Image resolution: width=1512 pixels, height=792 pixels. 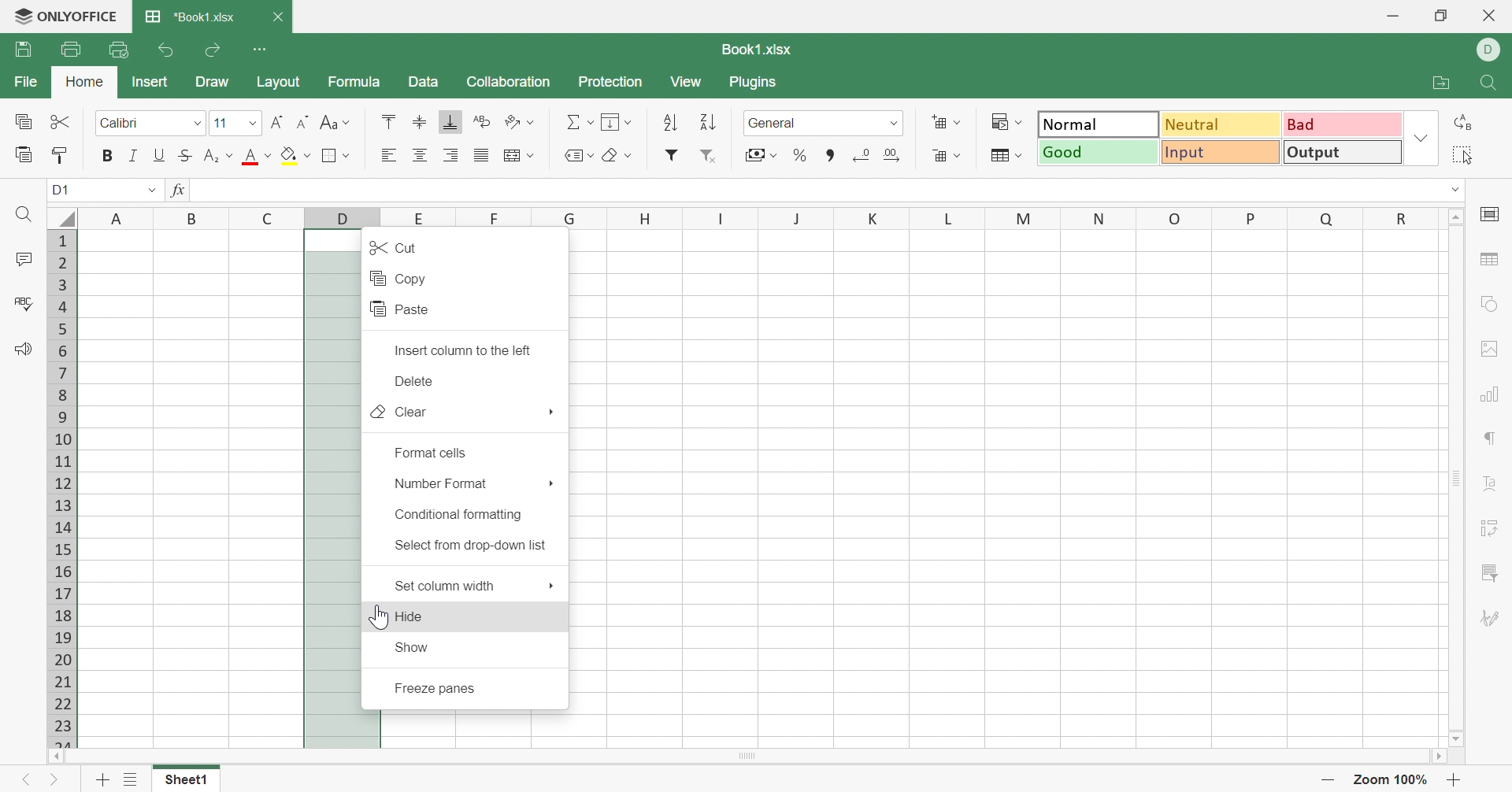 What do you see at coordinates (613, 81) in the screenshot?
I see `Protection` at bounding box center [613, 81].